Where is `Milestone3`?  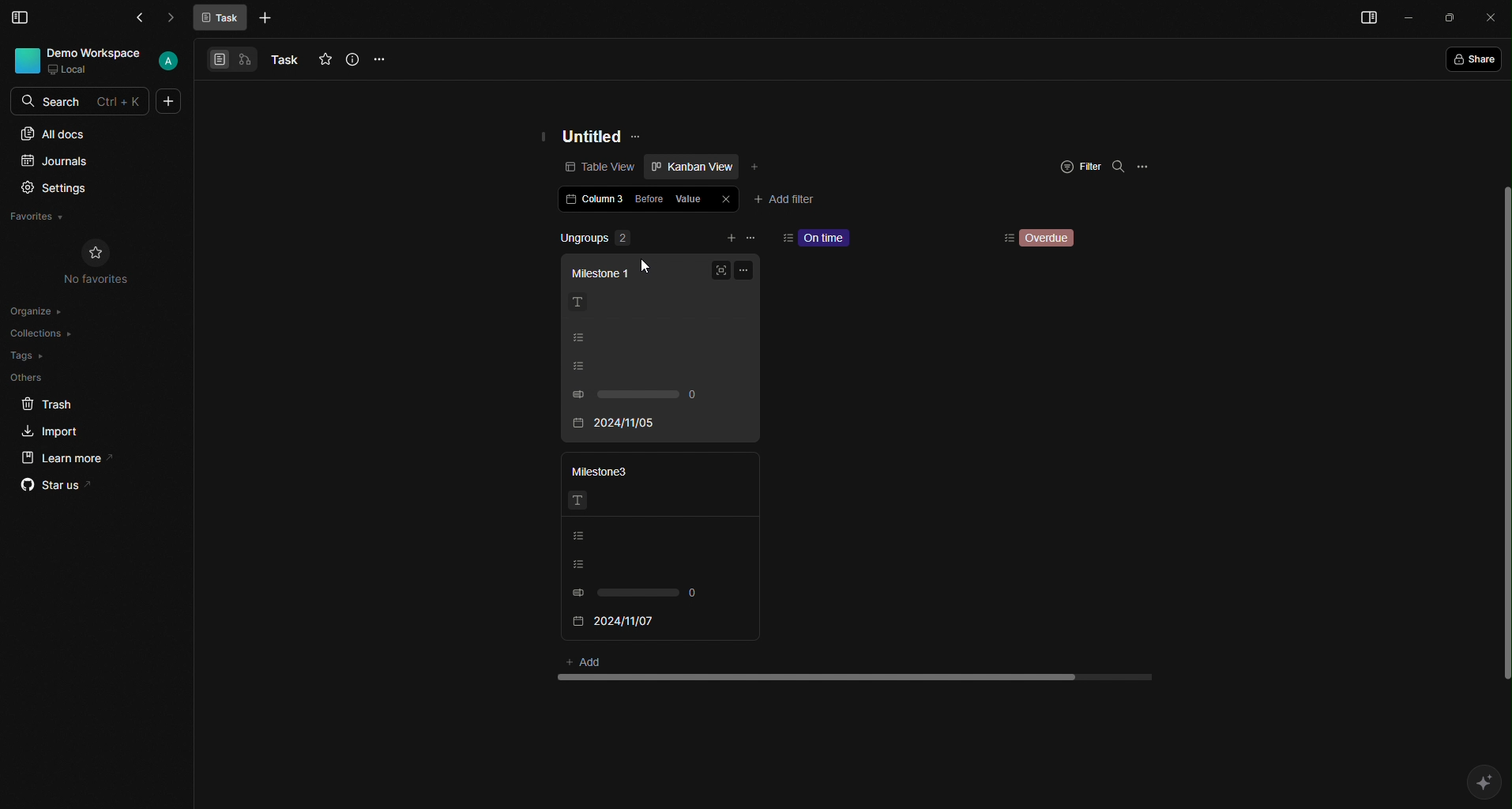
Milestone3 is located at coordinates (601, 468).